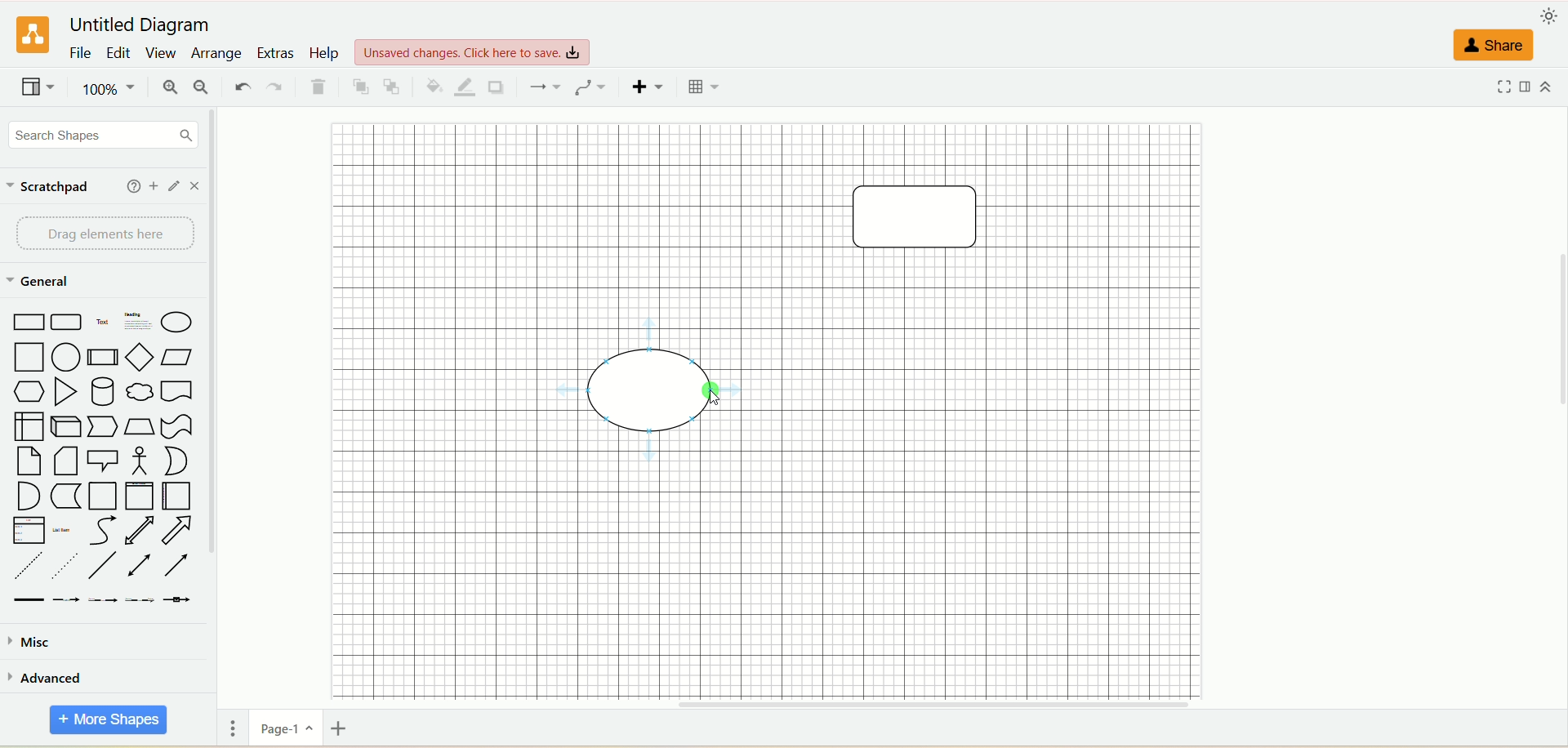 The image size is (1568, 748). I want to click on waypoints, so click(590, 87).